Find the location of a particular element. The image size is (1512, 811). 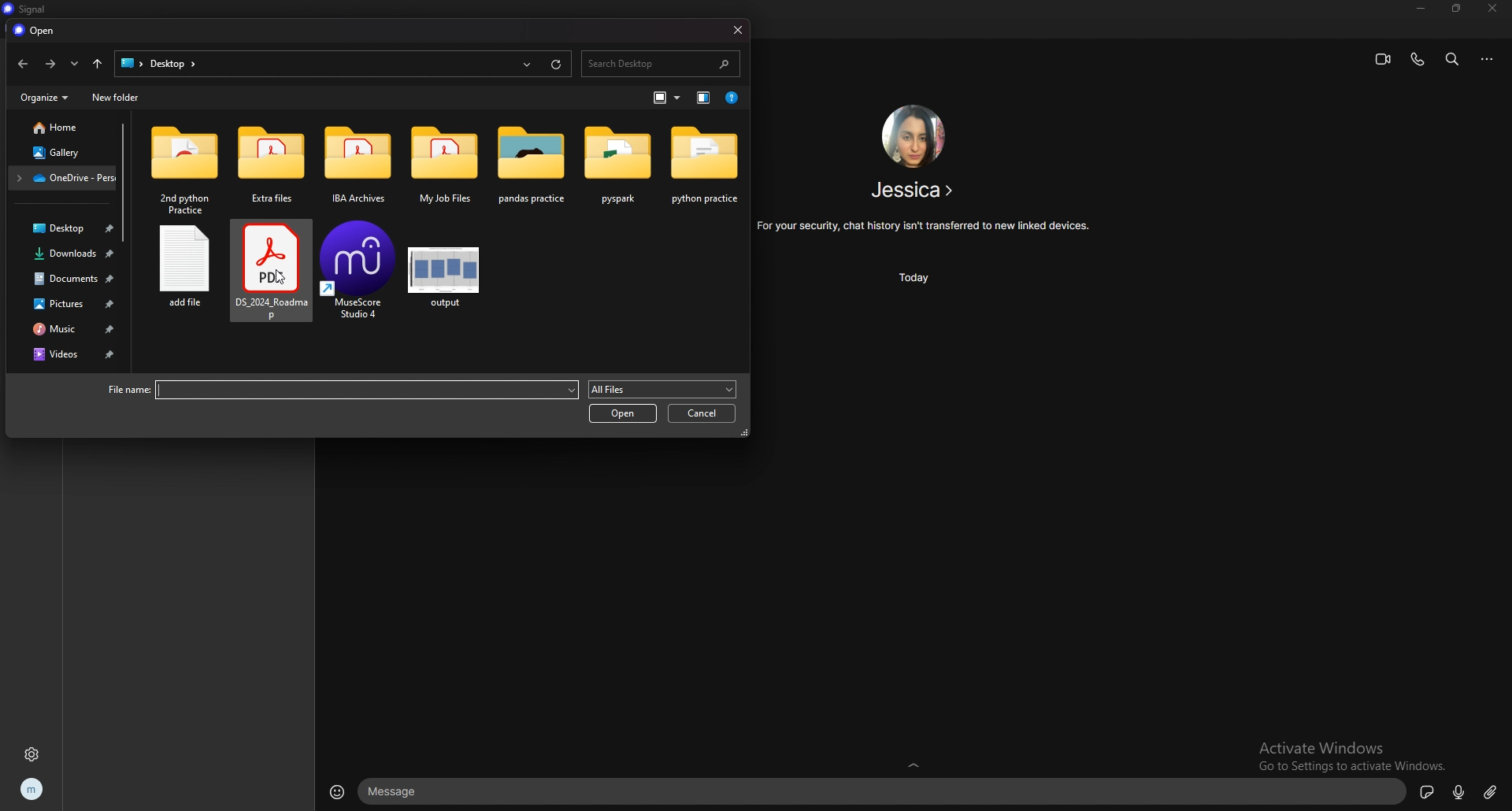

desktop is located at coordinates (64, 228).